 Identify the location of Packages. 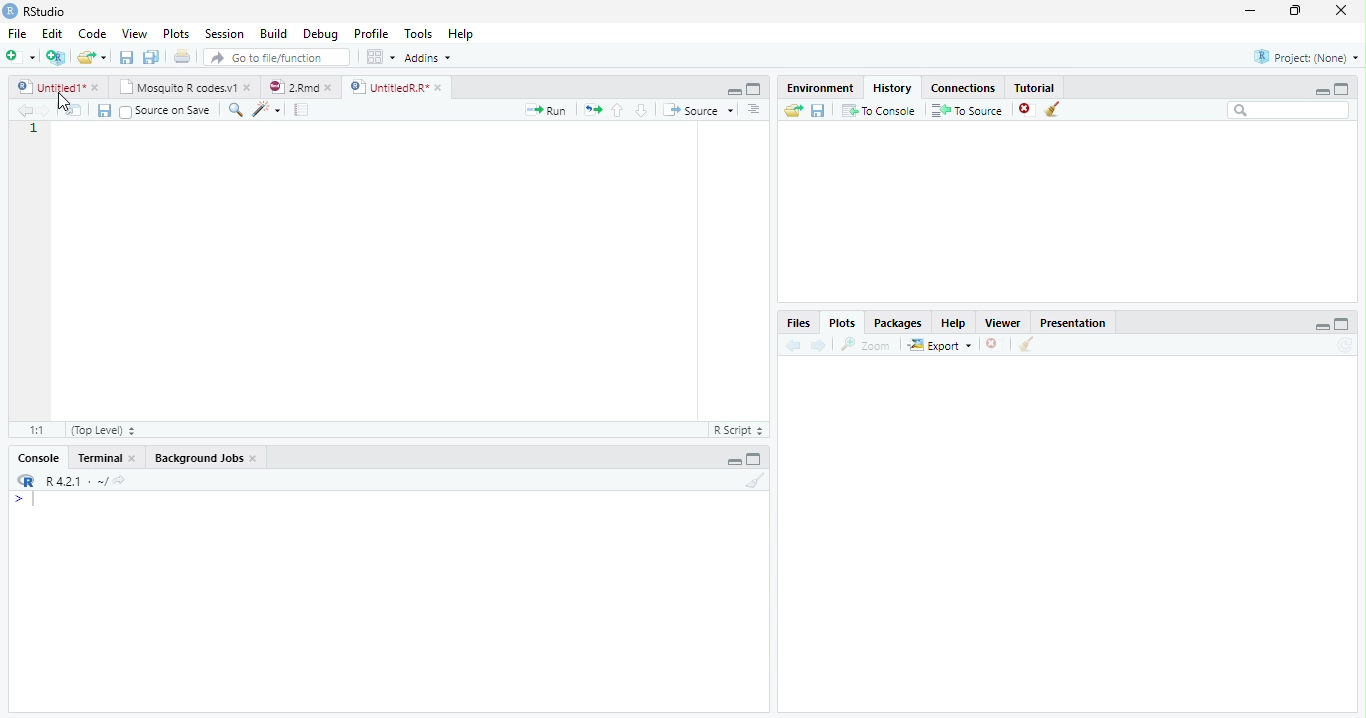
(896, 322).